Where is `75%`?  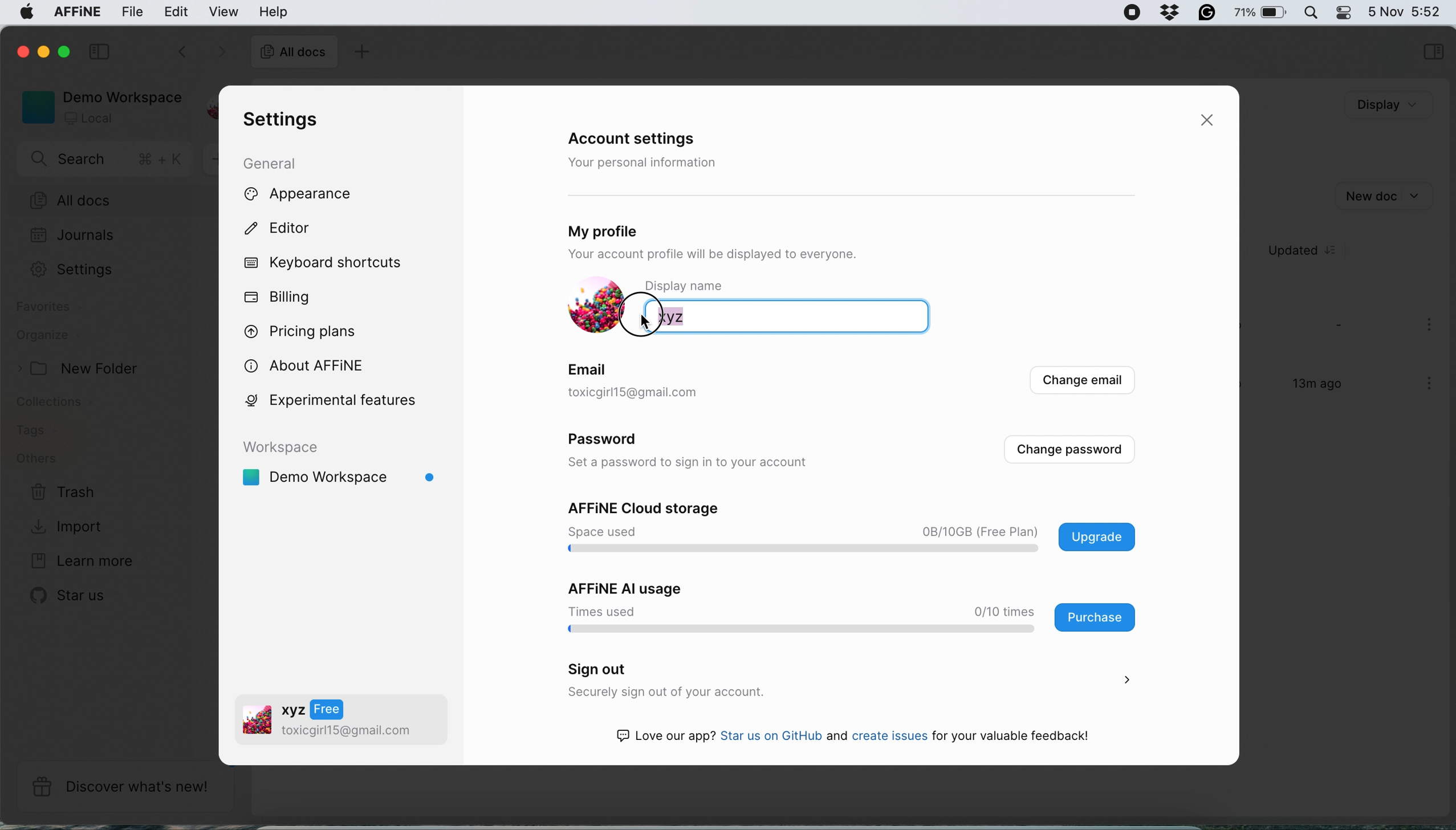
75% is located at coordinates (1260, 14).